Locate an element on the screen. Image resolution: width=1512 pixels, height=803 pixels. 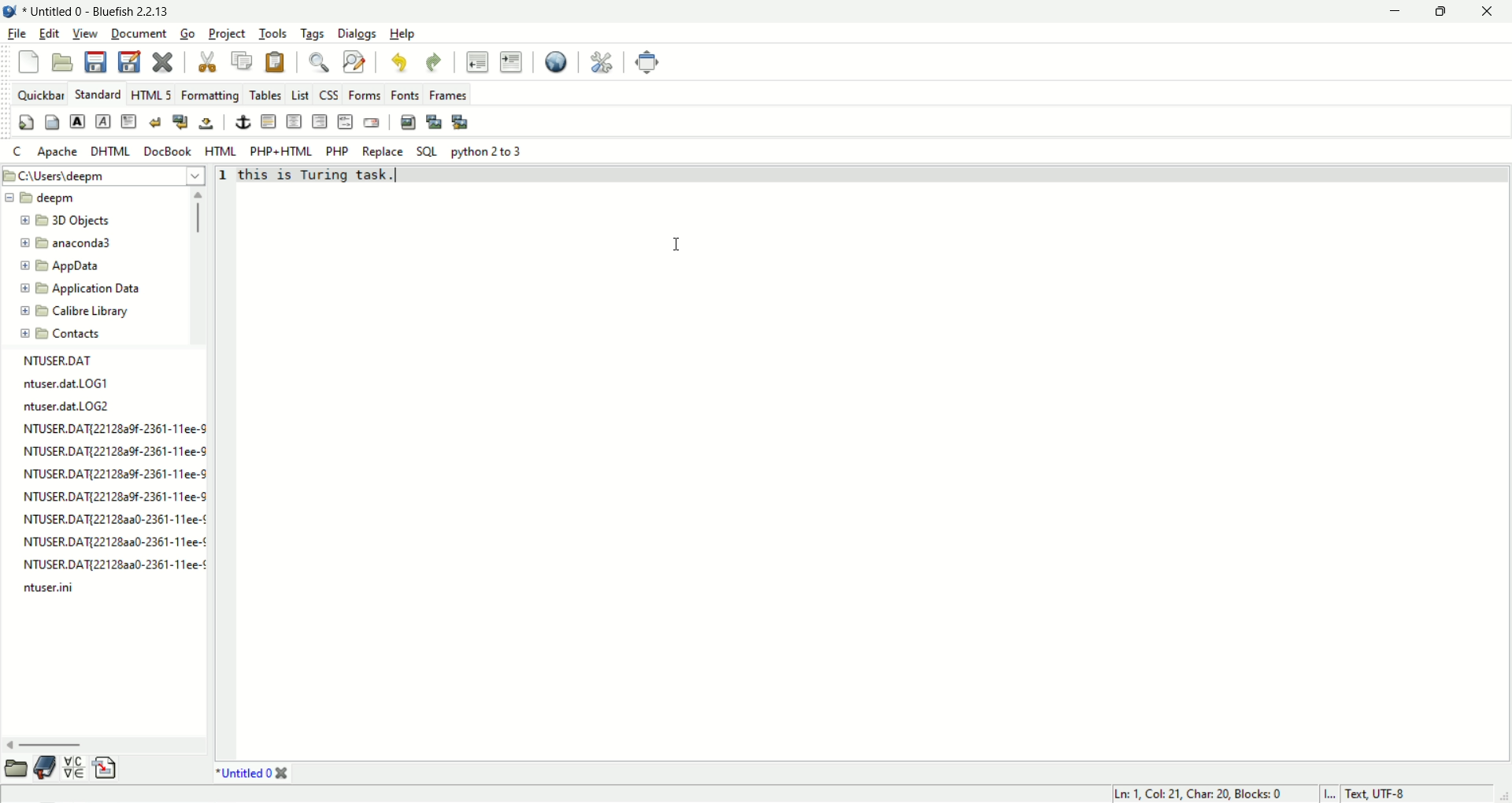
quick settings is located at coordinates (27, 124).